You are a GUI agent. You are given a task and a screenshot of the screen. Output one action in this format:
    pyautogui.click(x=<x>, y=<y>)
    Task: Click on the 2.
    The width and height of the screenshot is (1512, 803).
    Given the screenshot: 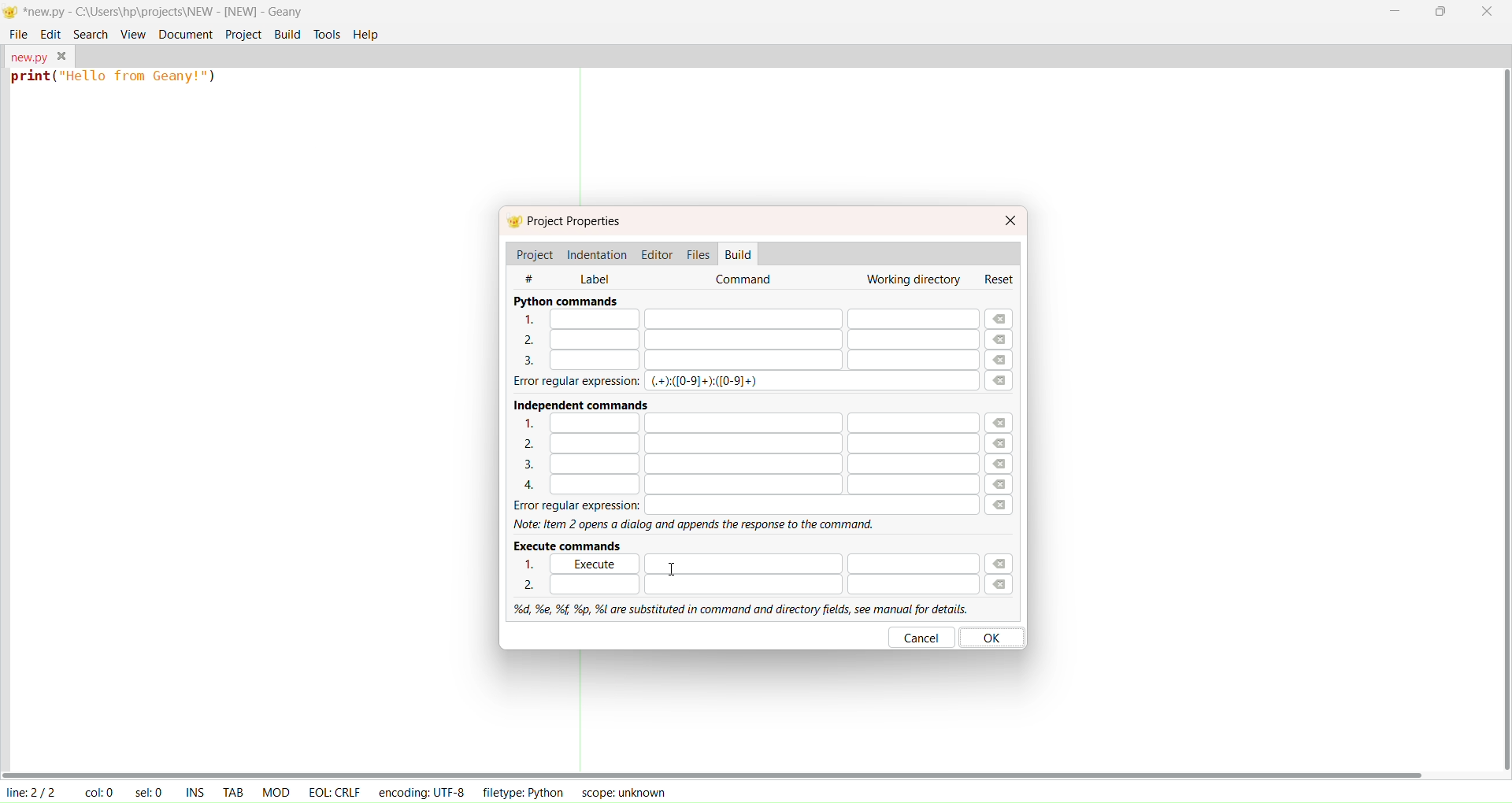 What is the action you would take?
    pyautogui.click(x=747, y=585)
    